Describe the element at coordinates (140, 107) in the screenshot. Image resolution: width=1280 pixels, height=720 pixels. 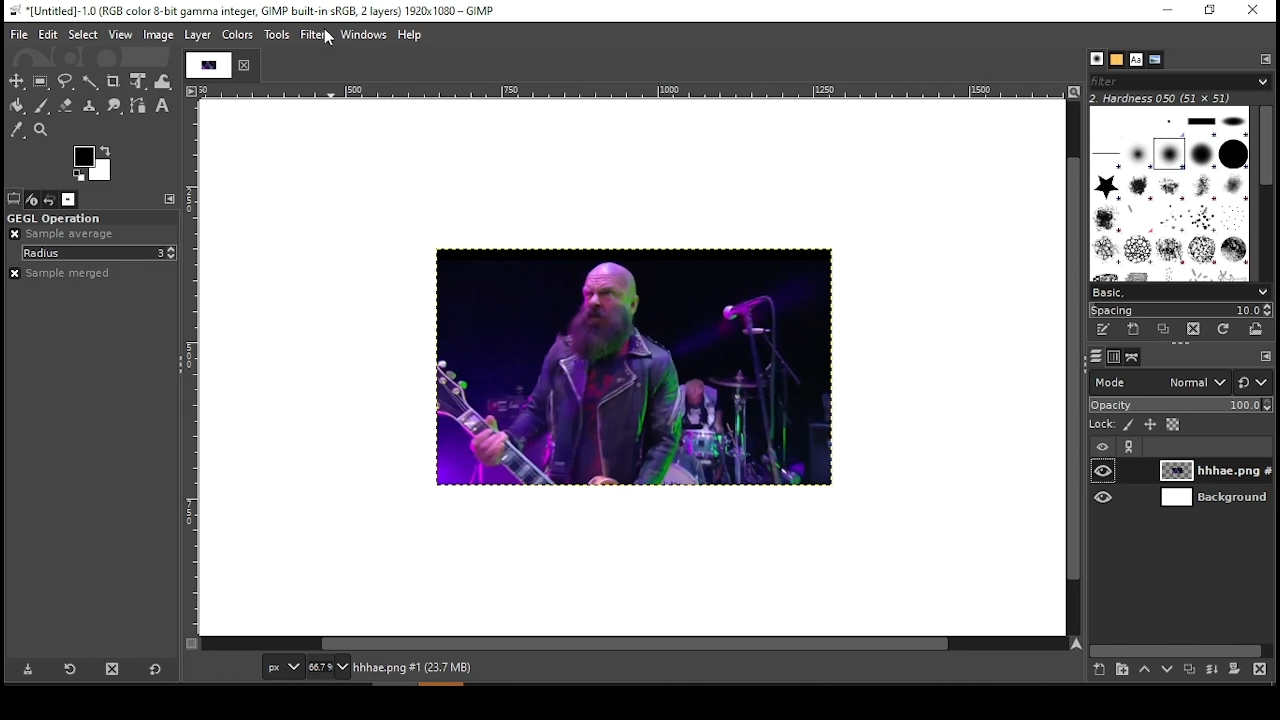
I see `paths tool` at that location.